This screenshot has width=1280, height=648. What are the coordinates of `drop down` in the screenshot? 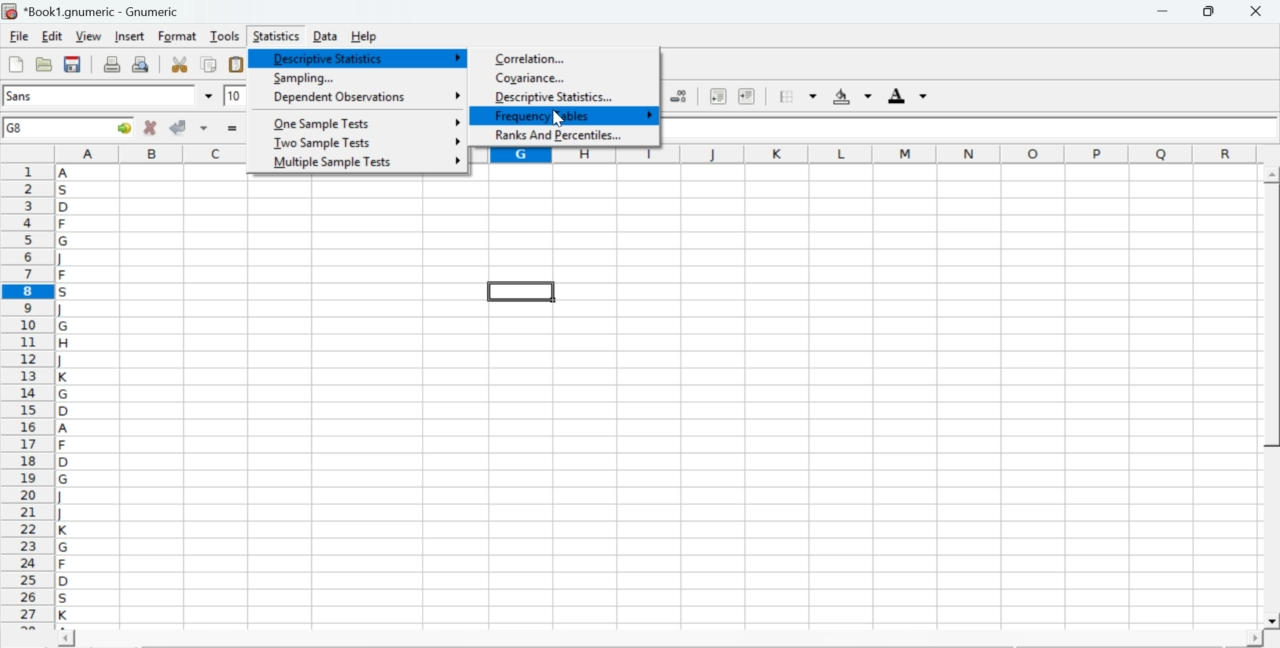 It's located at (262, 95).